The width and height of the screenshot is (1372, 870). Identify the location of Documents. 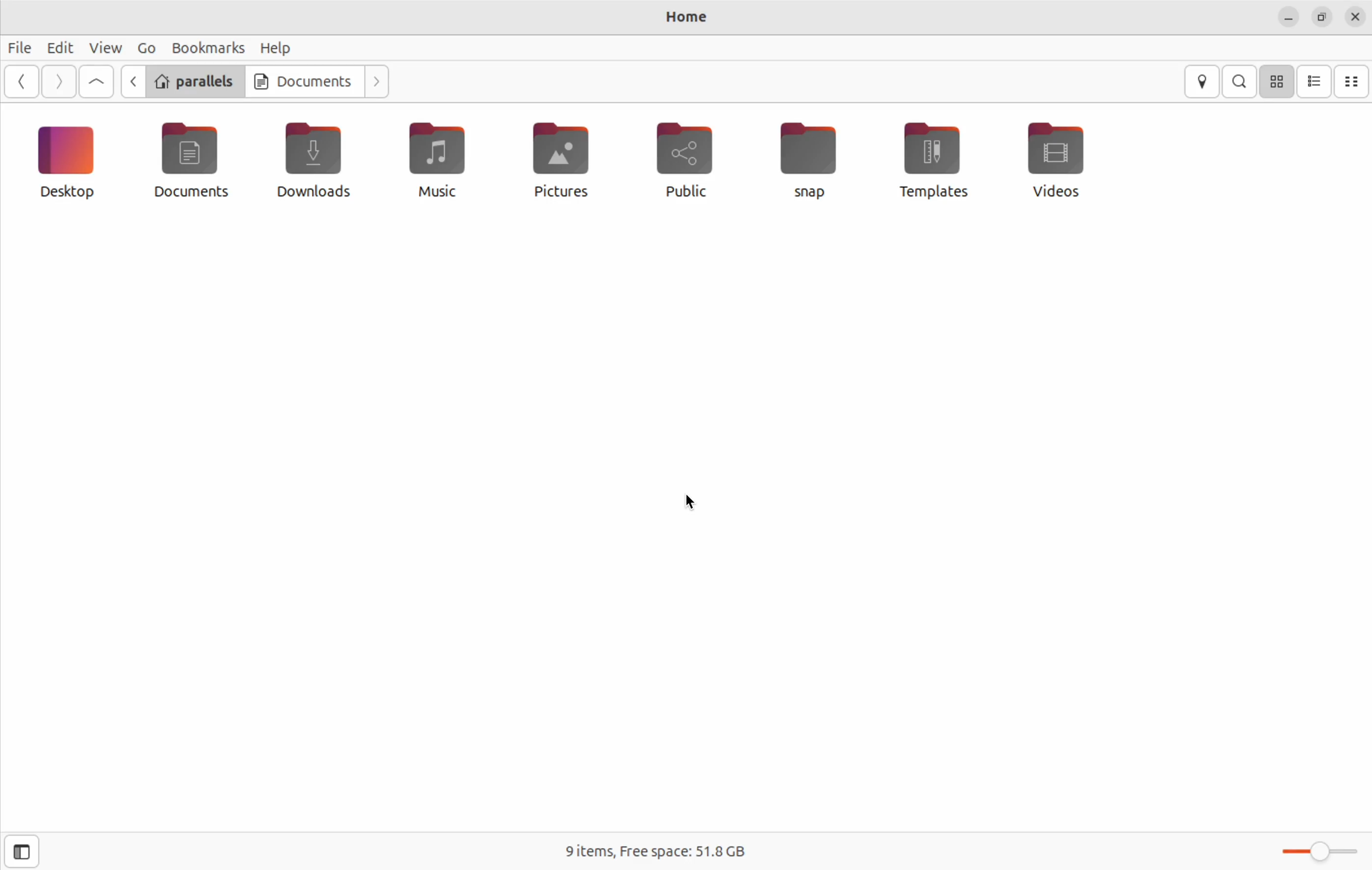
(305, 81).